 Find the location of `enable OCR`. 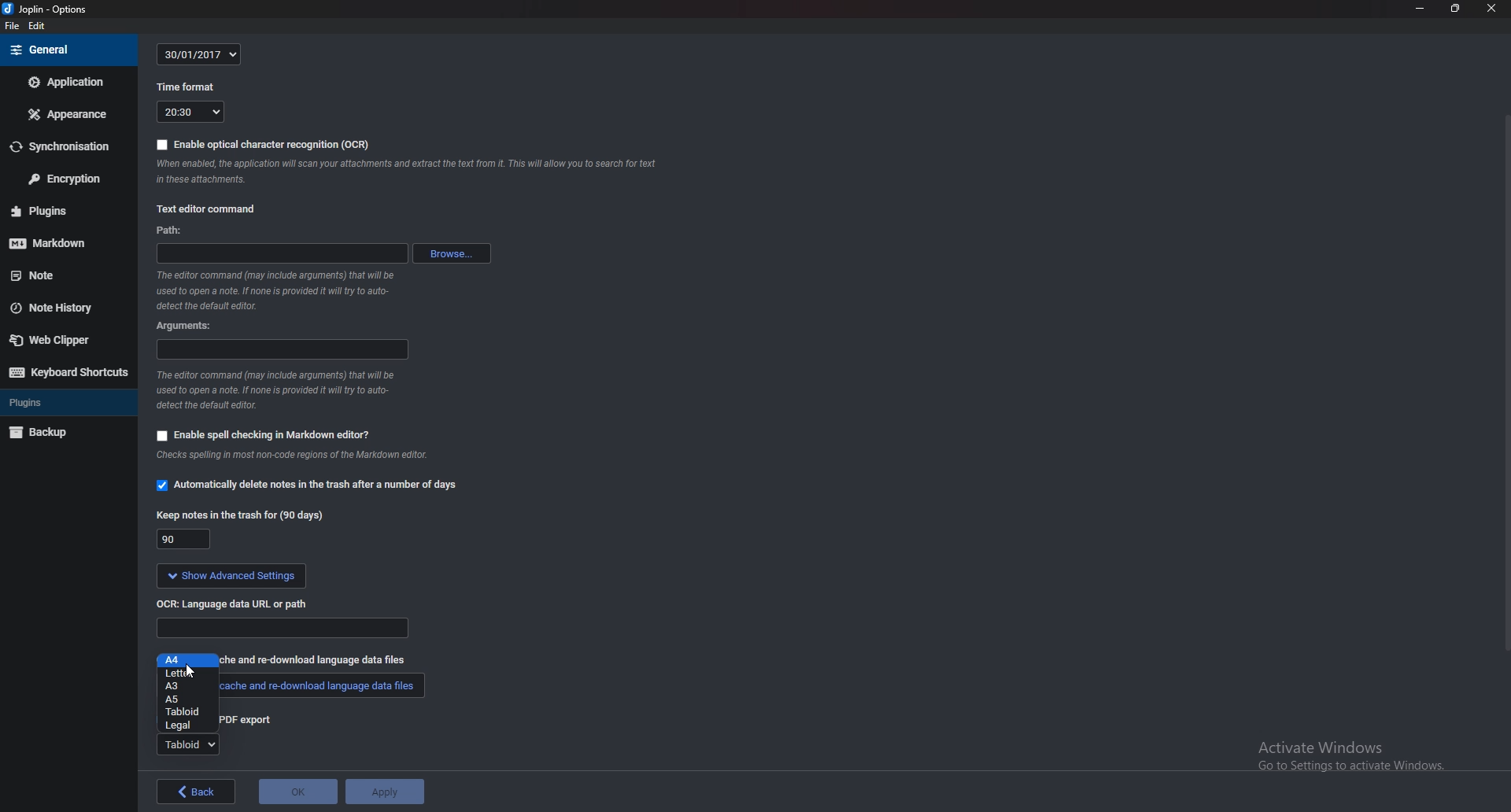

enable OCR is located at coordinates (260, 144).